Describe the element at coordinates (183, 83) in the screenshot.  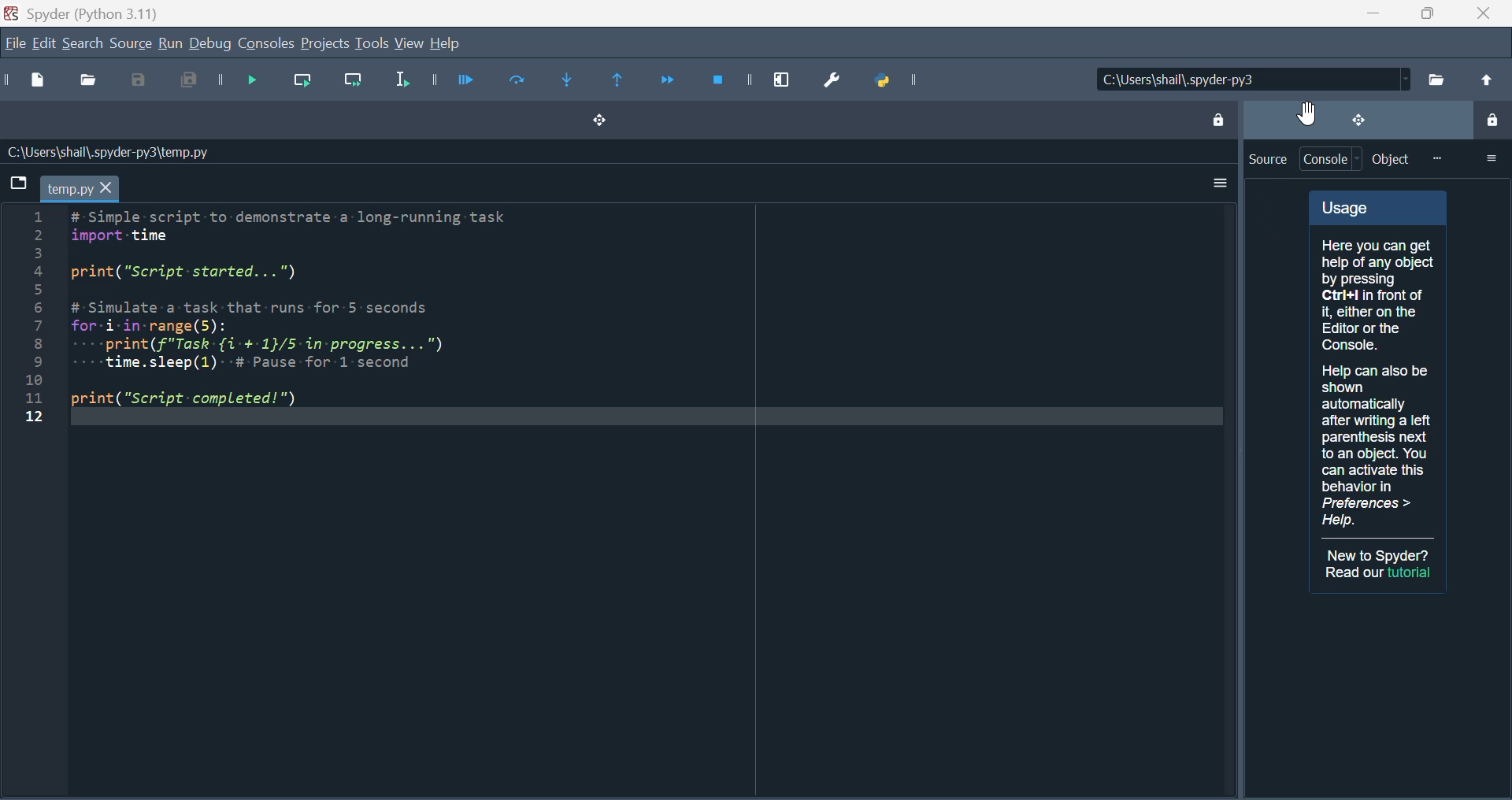
I see `Save all` at that location.